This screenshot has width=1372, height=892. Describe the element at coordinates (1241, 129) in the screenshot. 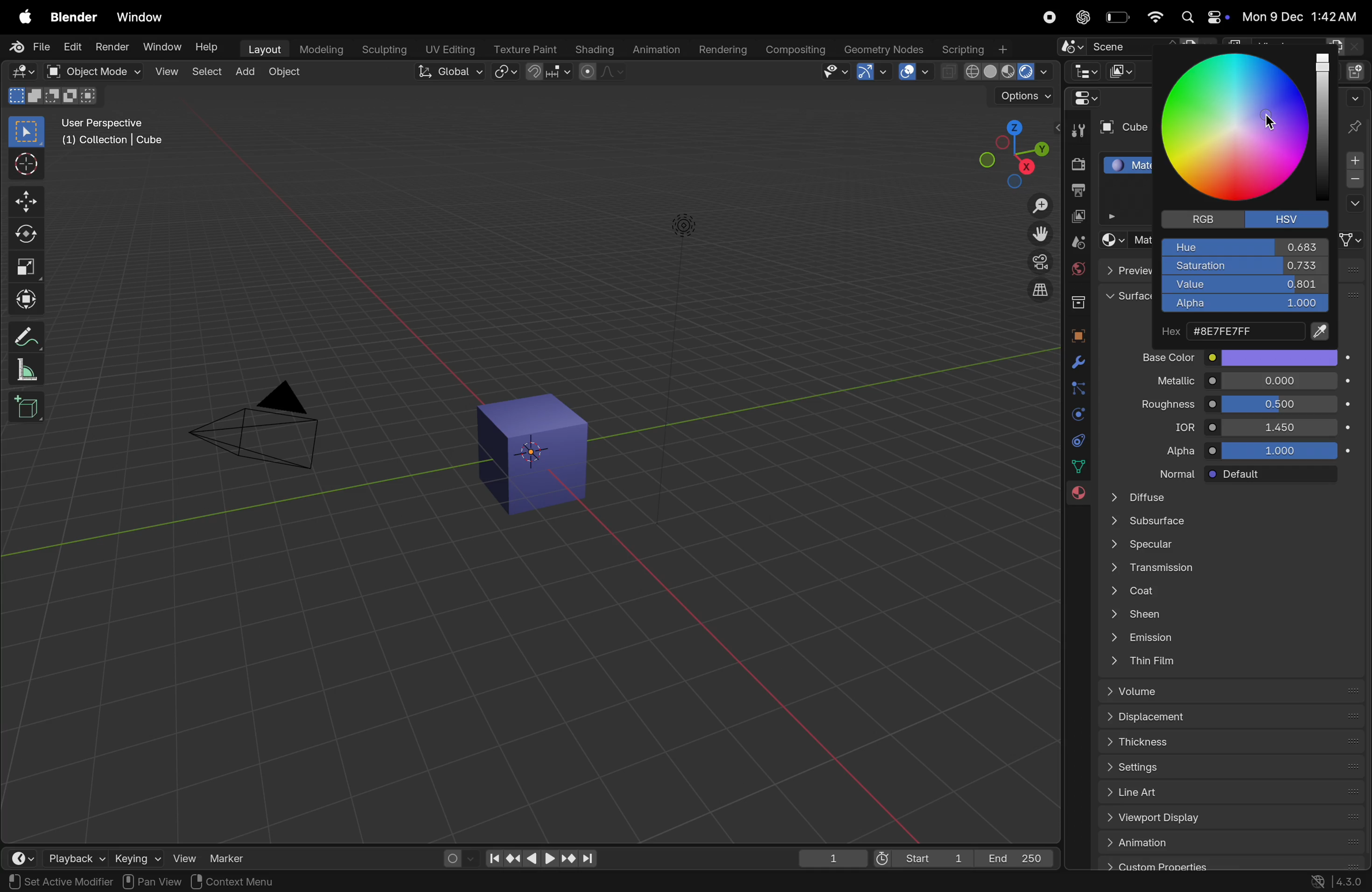

I see `color wheel` at that location.